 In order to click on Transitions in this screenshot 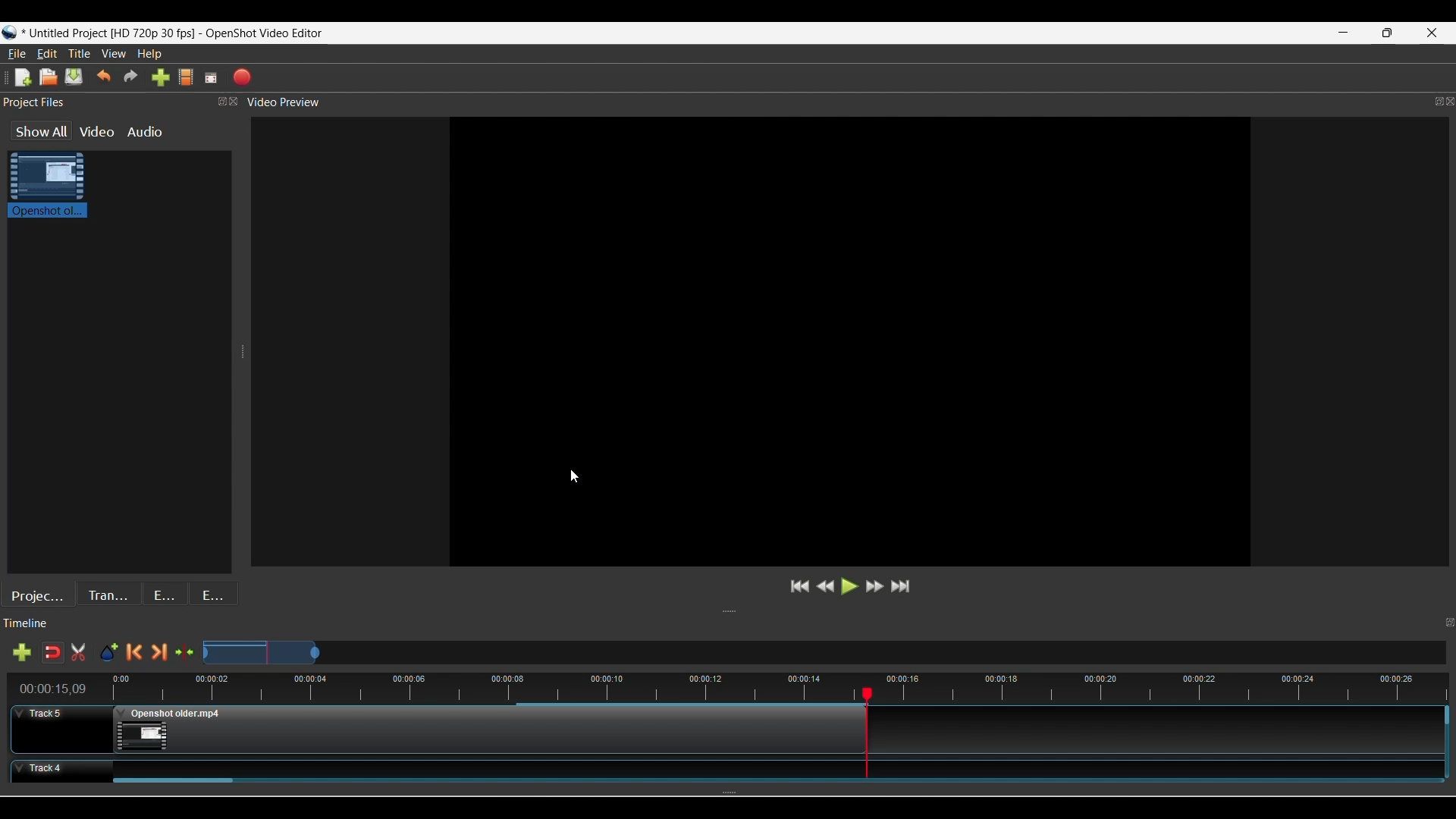, I will do `click(108, 594)`.